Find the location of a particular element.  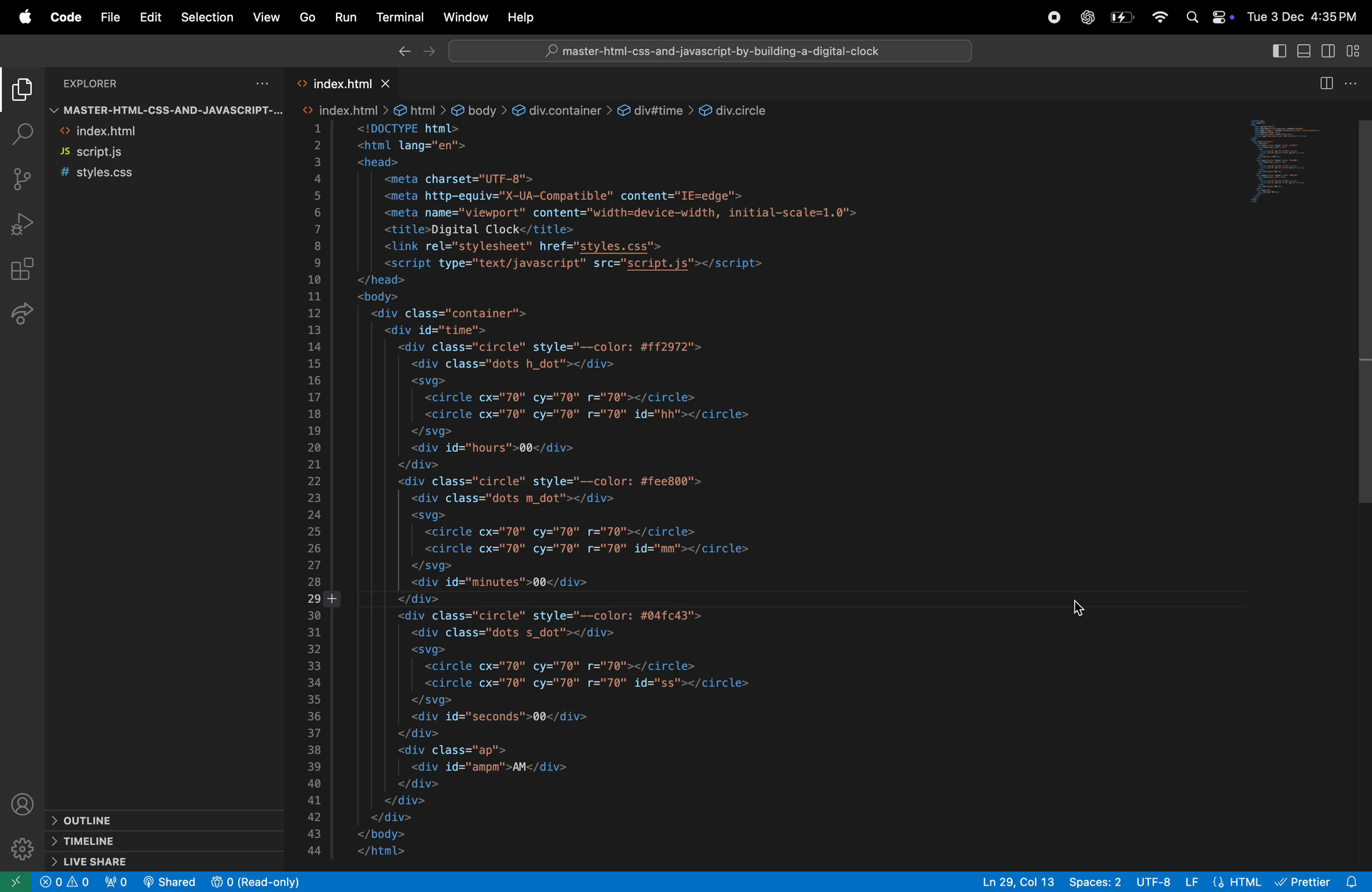

people added is located at coordinates (265, 882).